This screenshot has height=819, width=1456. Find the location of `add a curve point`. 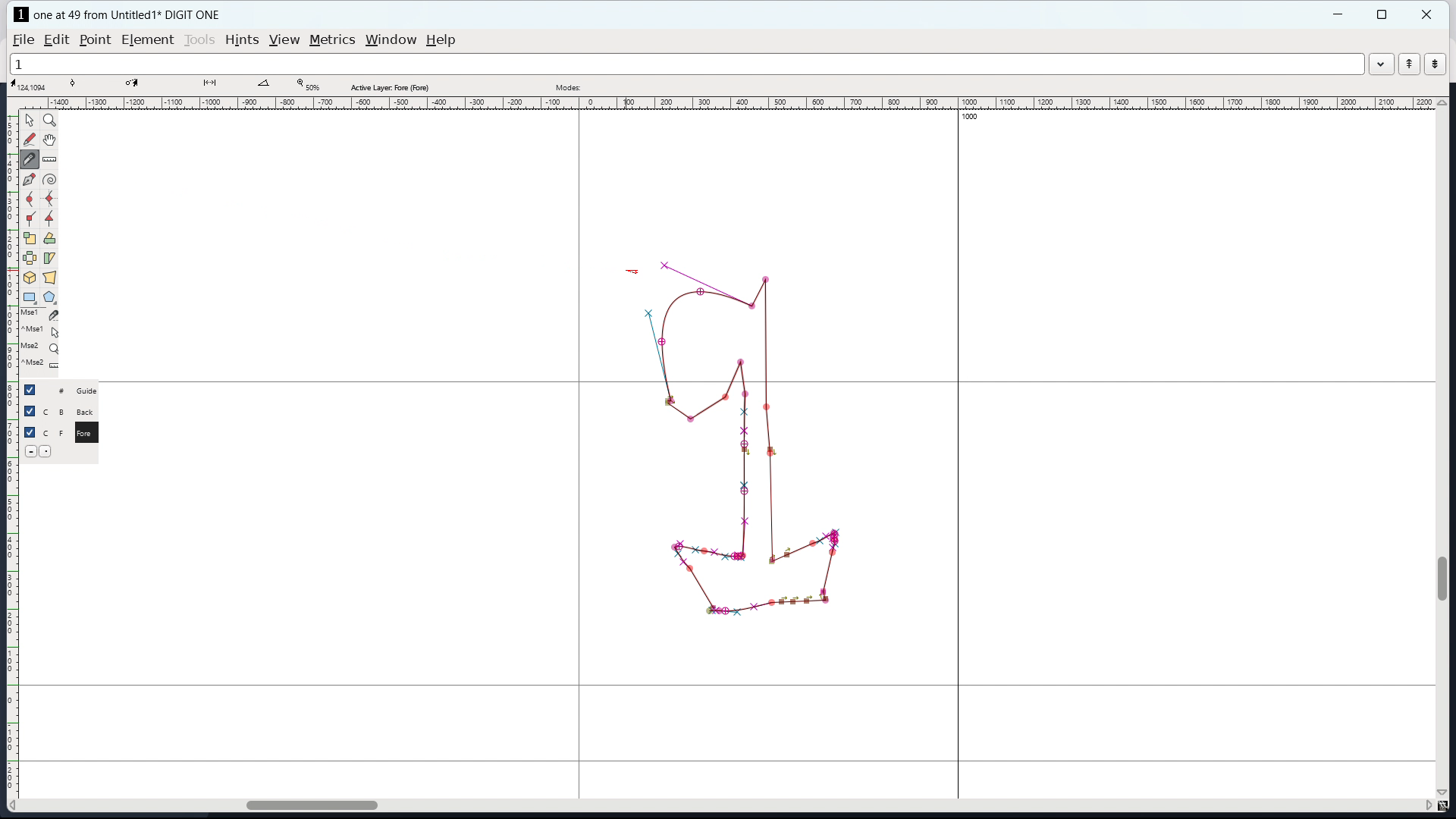

add a curve point is located at coordinates (30, 200).